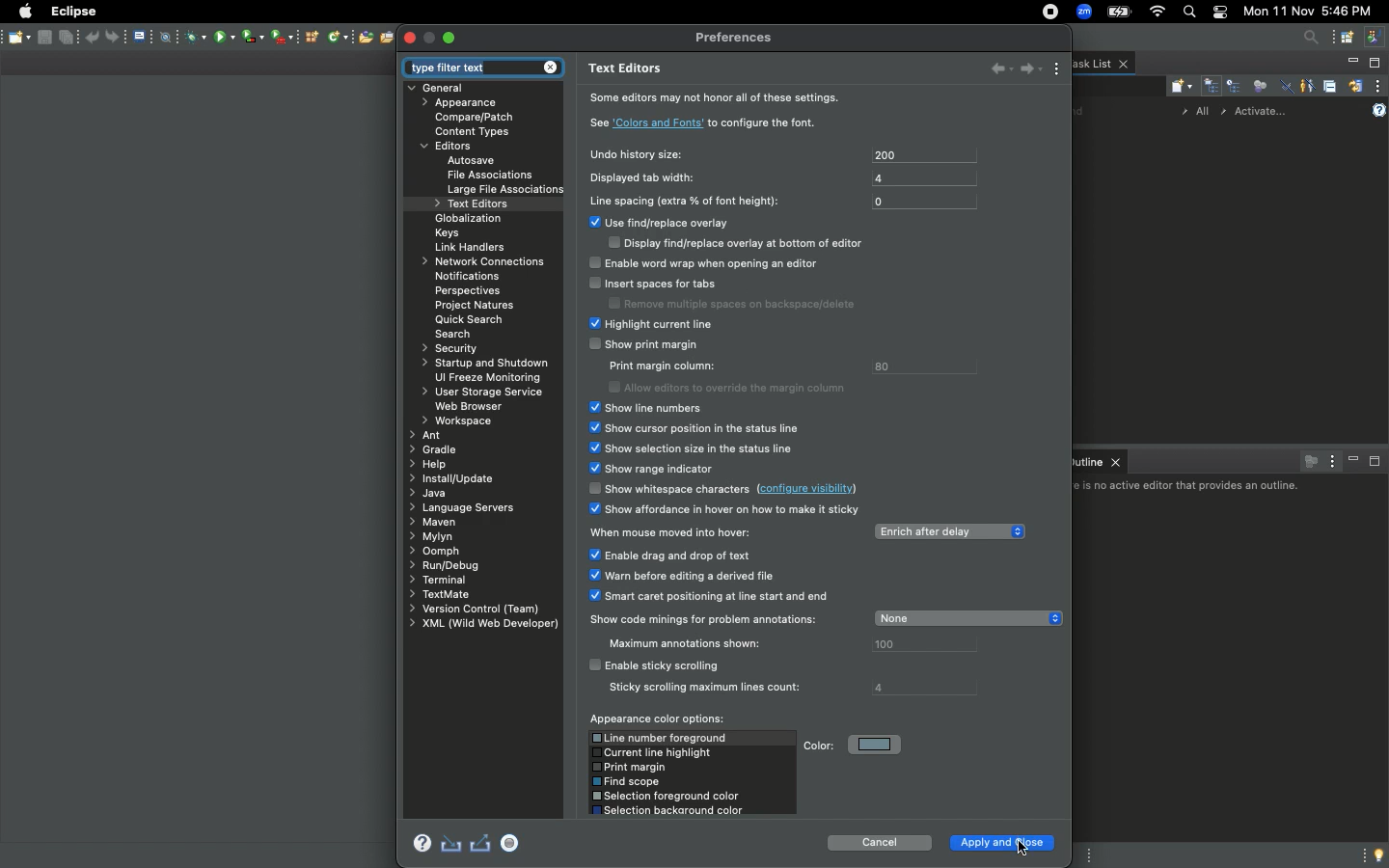 This screenshot has height=868, width=1389. Describe the element at coordinates (474, 307) in the screenshot. I see `Project natures` at that location.